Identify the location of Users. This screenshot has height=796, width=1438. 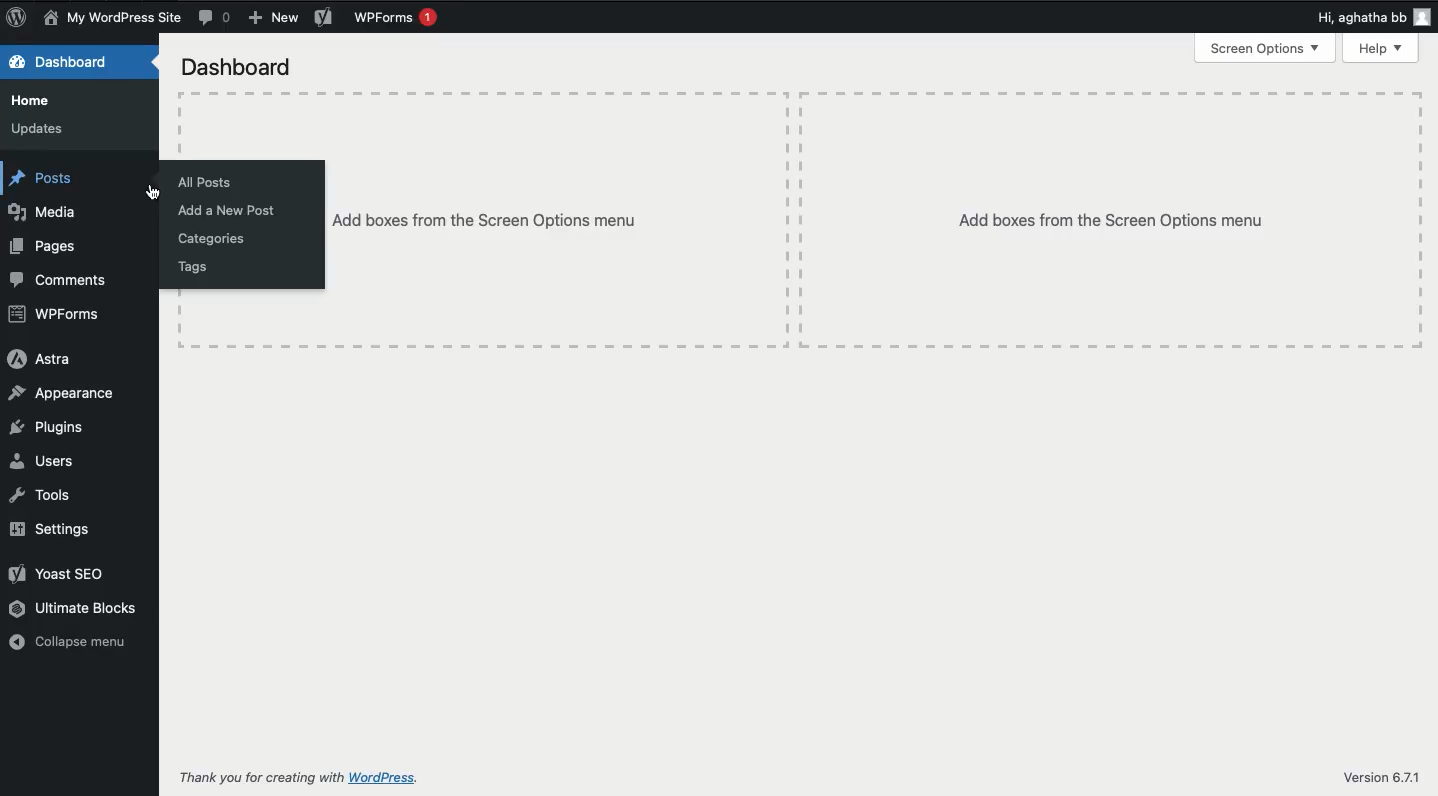
(44, 458).